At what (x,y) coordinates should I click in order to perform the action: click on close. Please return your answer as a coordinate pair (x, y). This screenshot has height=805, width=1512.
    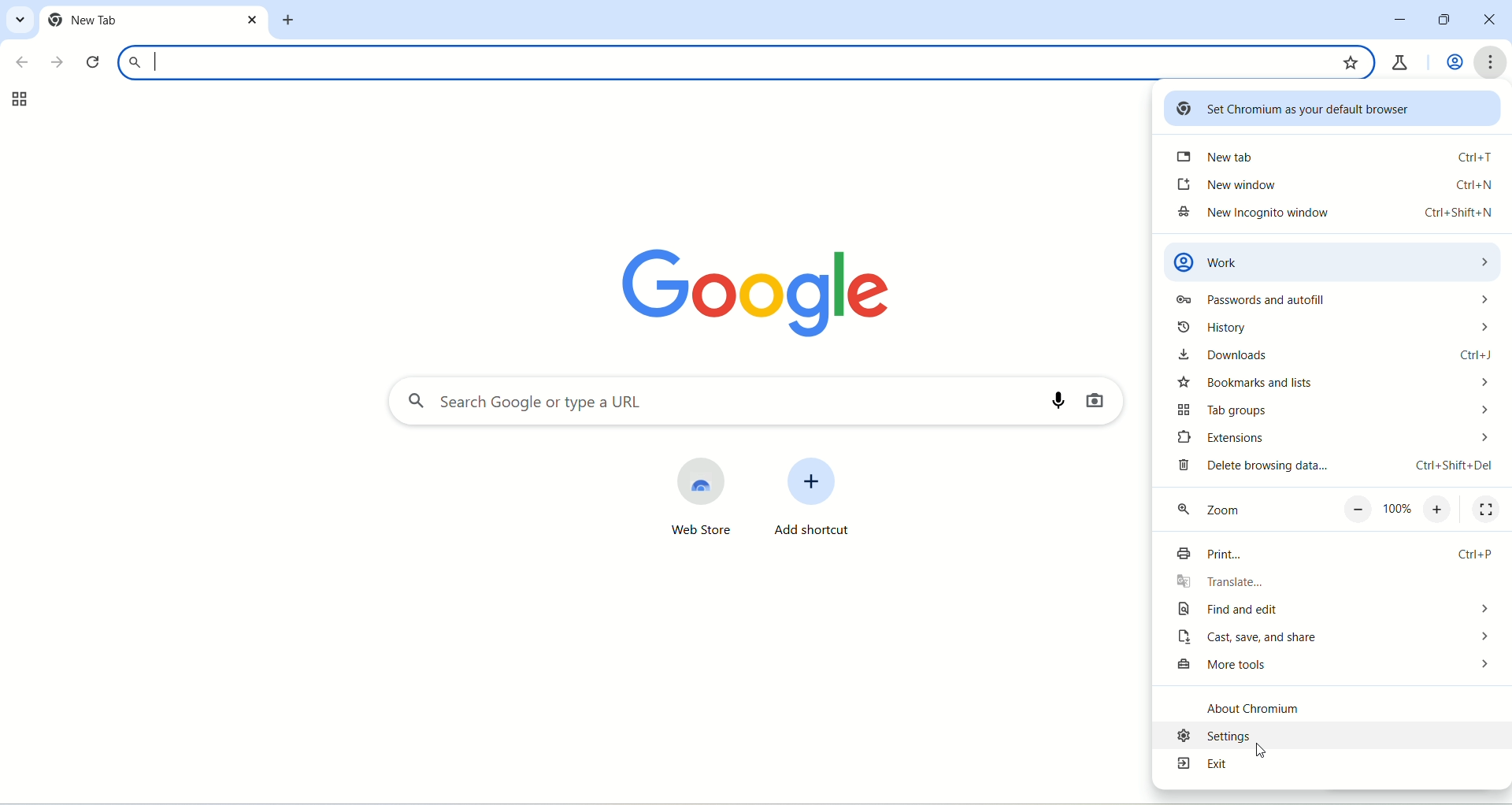
    Looking at the image, I should click on (1491, 20).